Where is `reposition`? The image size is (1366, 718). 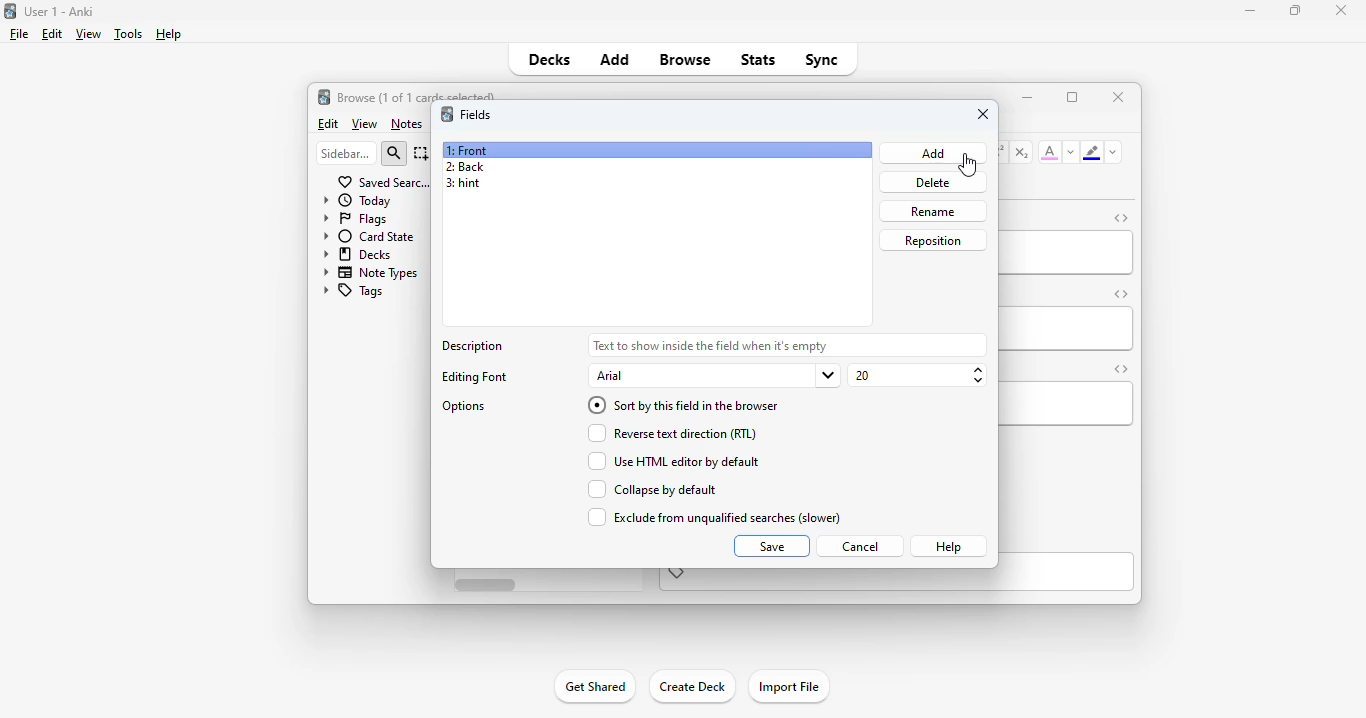
reposition is located at coordinates (934, 241).